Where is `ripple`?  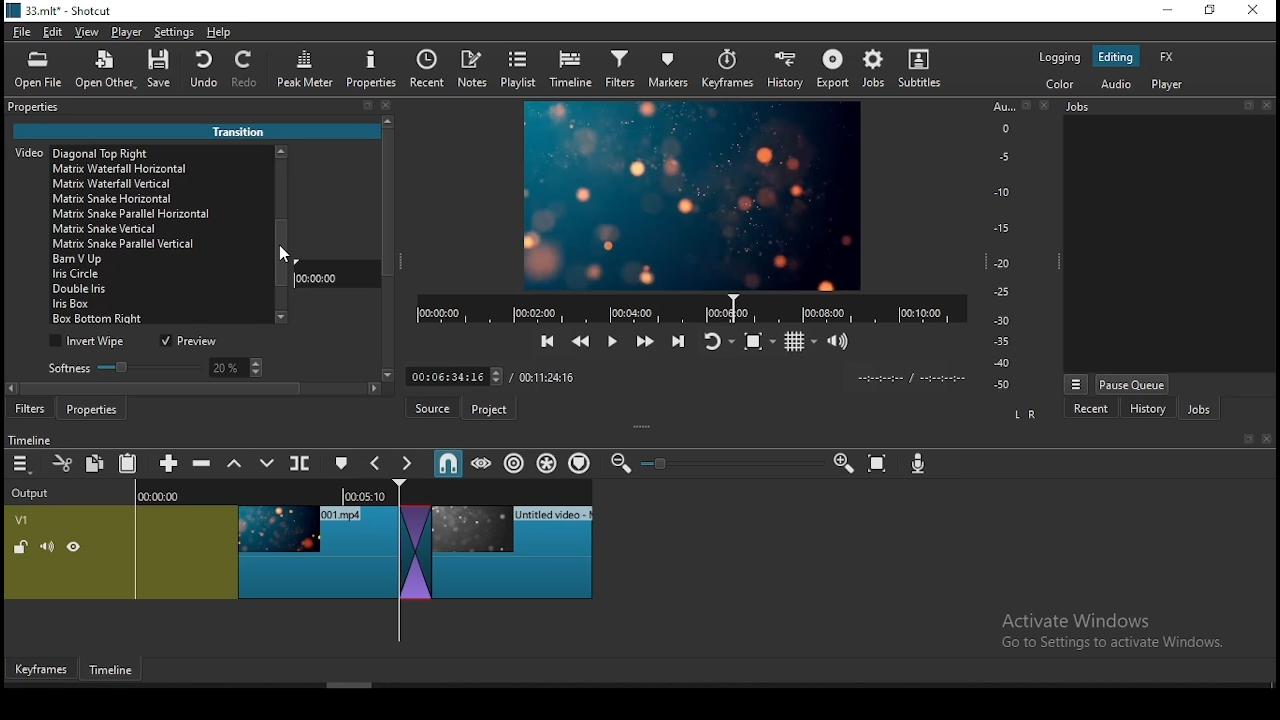
ripple is located at coordinates (514, 464).